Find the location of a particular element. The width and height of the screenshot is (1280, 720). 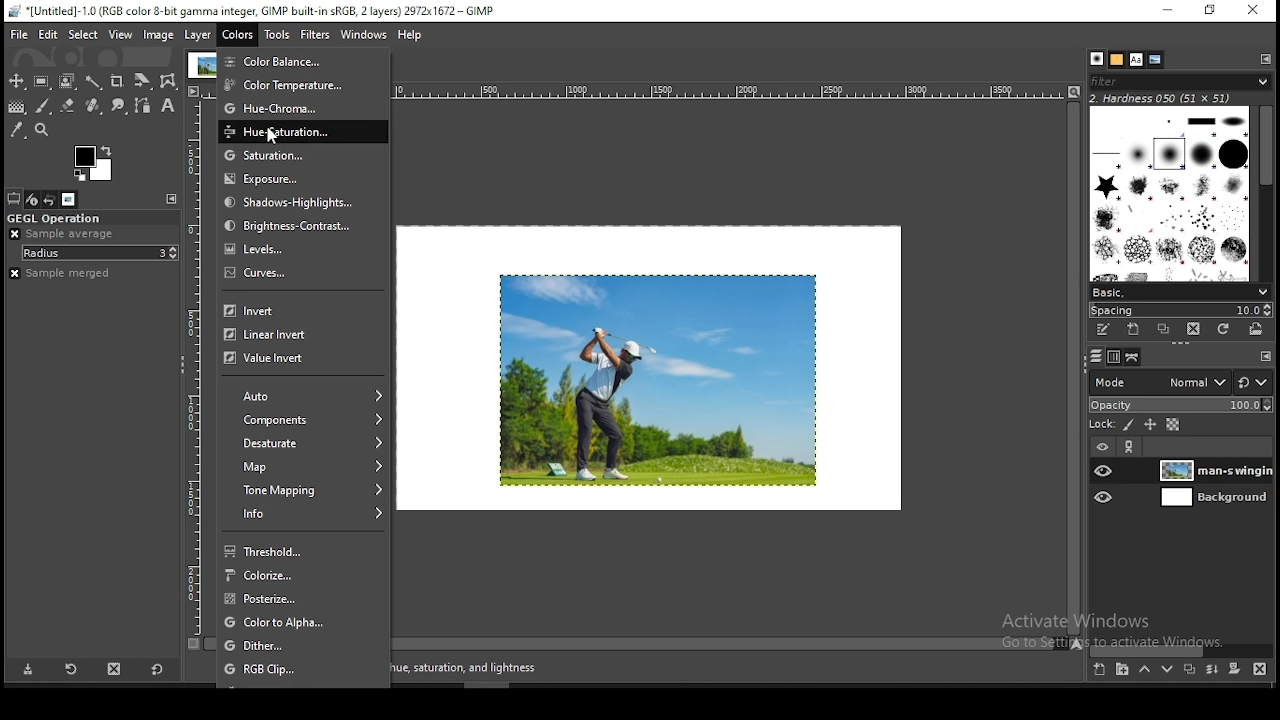

lock is located at coordinates (1103, 425).